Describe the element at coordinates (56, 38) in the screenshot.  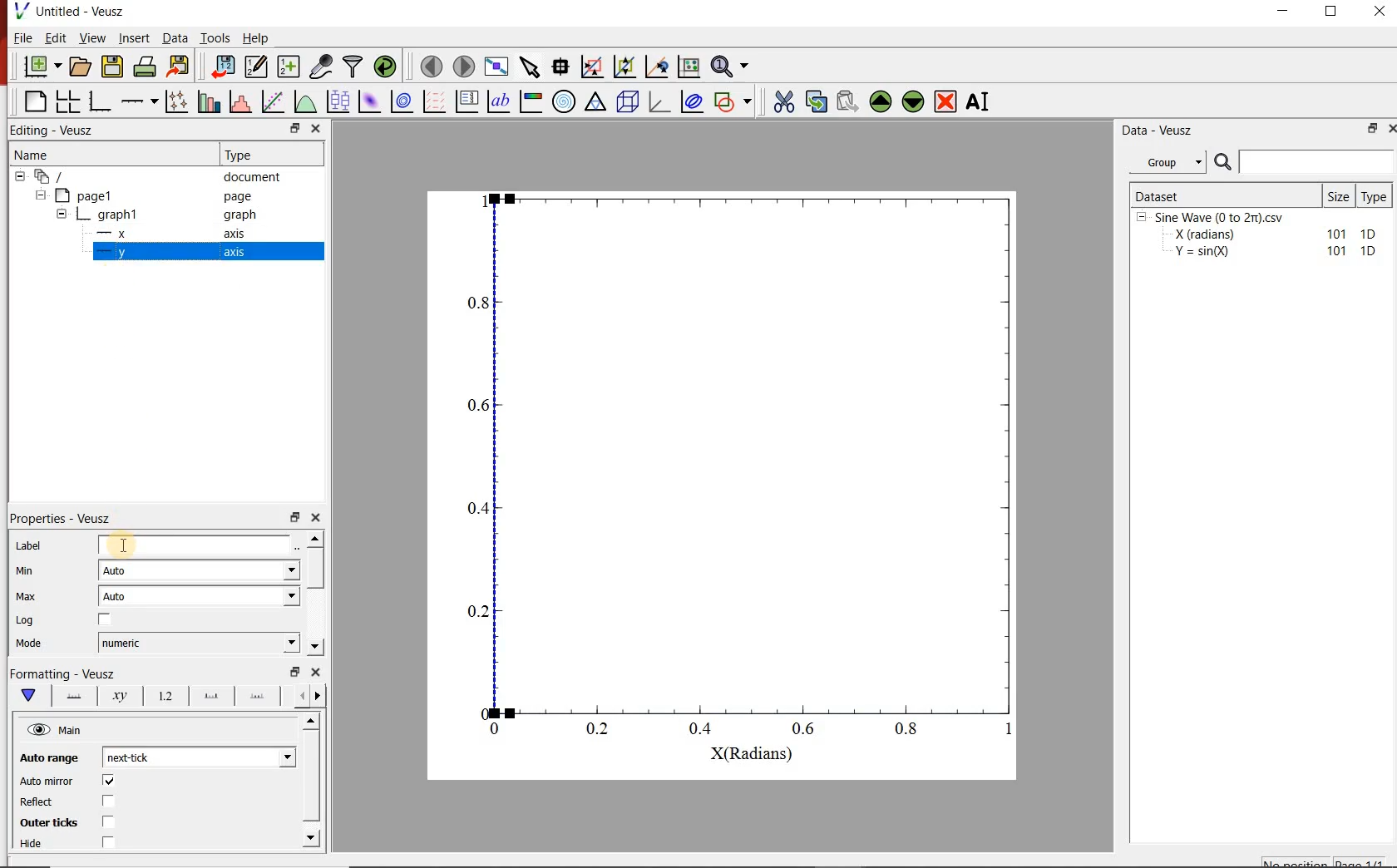
I see `Edit` at that location.